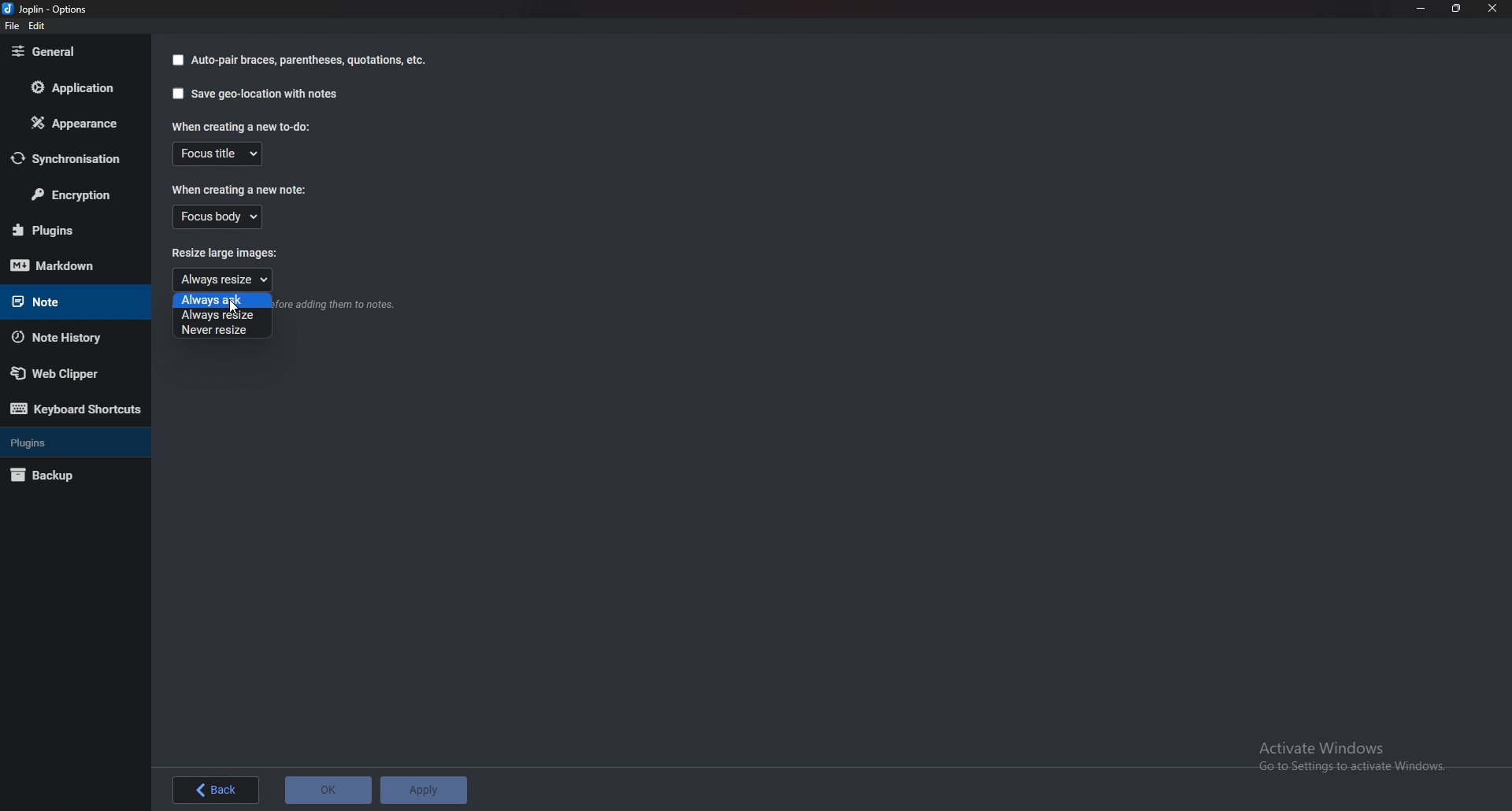  What do you see at coordinates (76, 195) in the screenshot?
I see `Encryption` at bounding box center [76, 195].